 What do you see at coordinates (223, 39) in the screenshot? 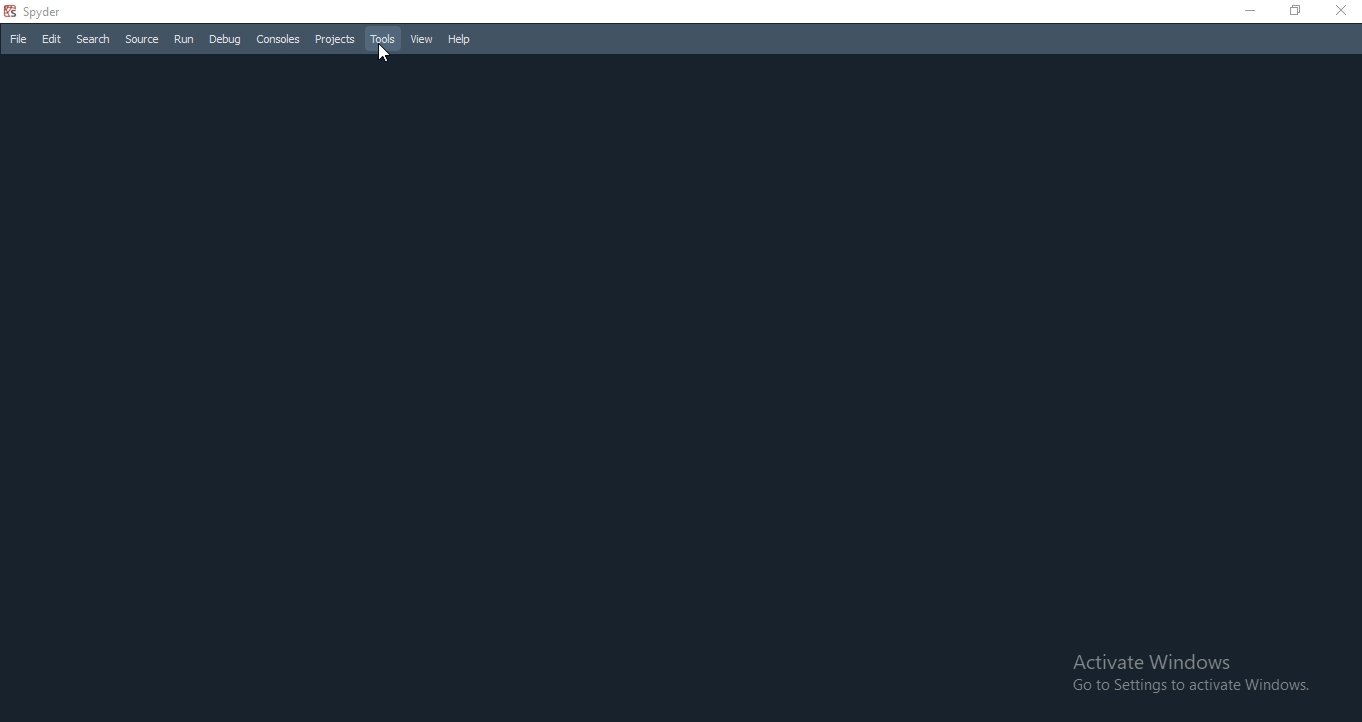
I see `Debug` at bounding box center [223, 39].